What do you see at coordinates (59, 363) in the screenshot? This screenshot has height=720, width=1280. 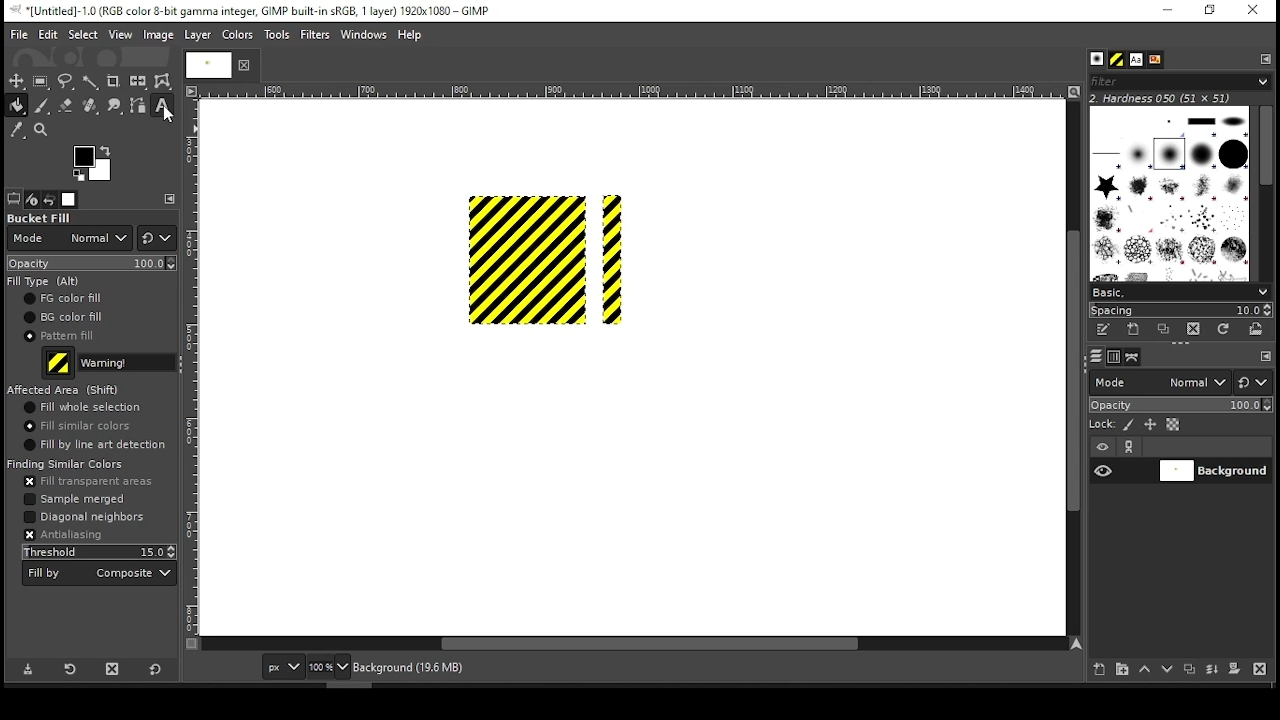 I see `pattern preview` at bounding box center [59, 363].